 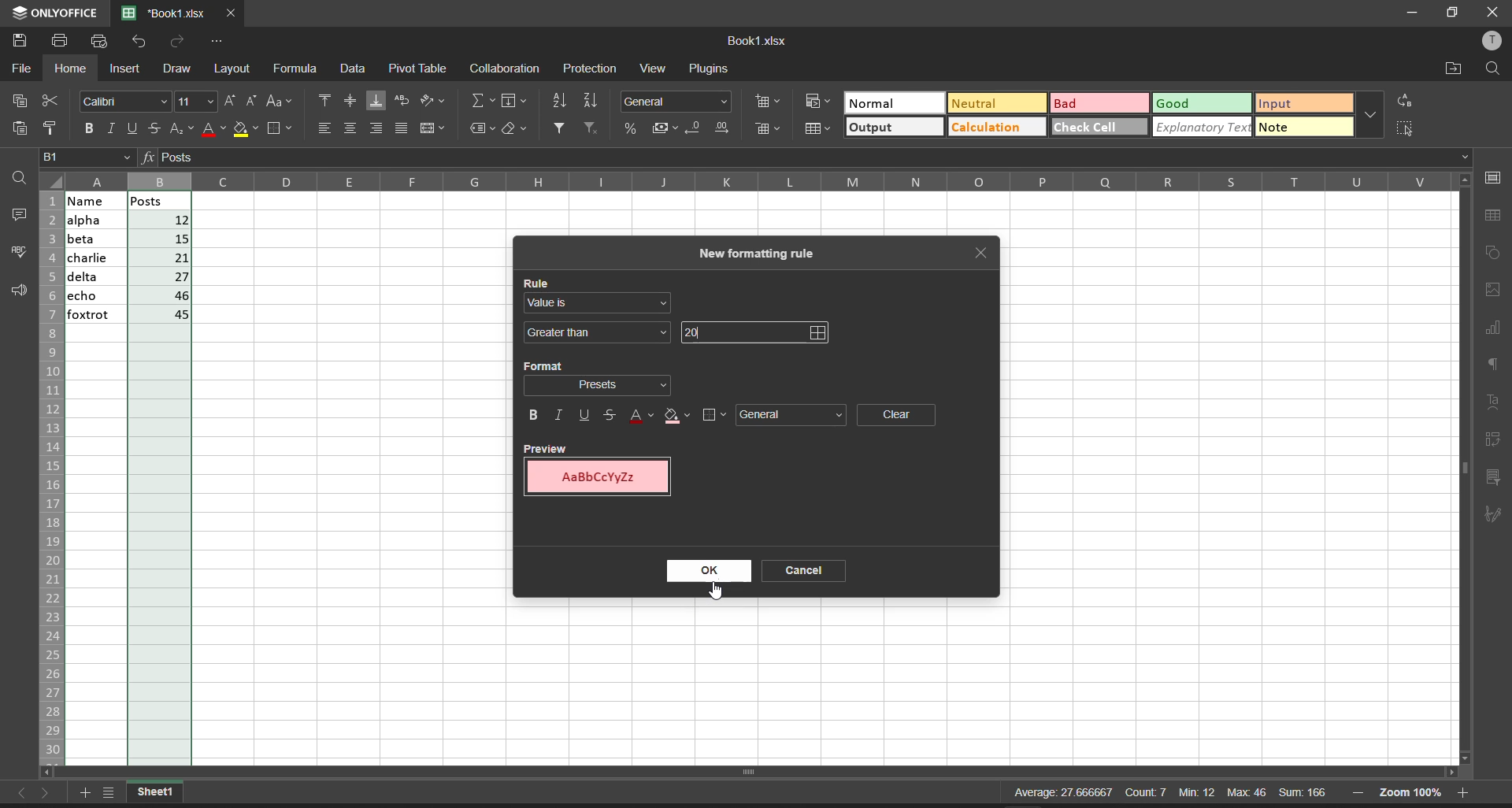 I want to click on named ranges, so click(x=478, y=128).